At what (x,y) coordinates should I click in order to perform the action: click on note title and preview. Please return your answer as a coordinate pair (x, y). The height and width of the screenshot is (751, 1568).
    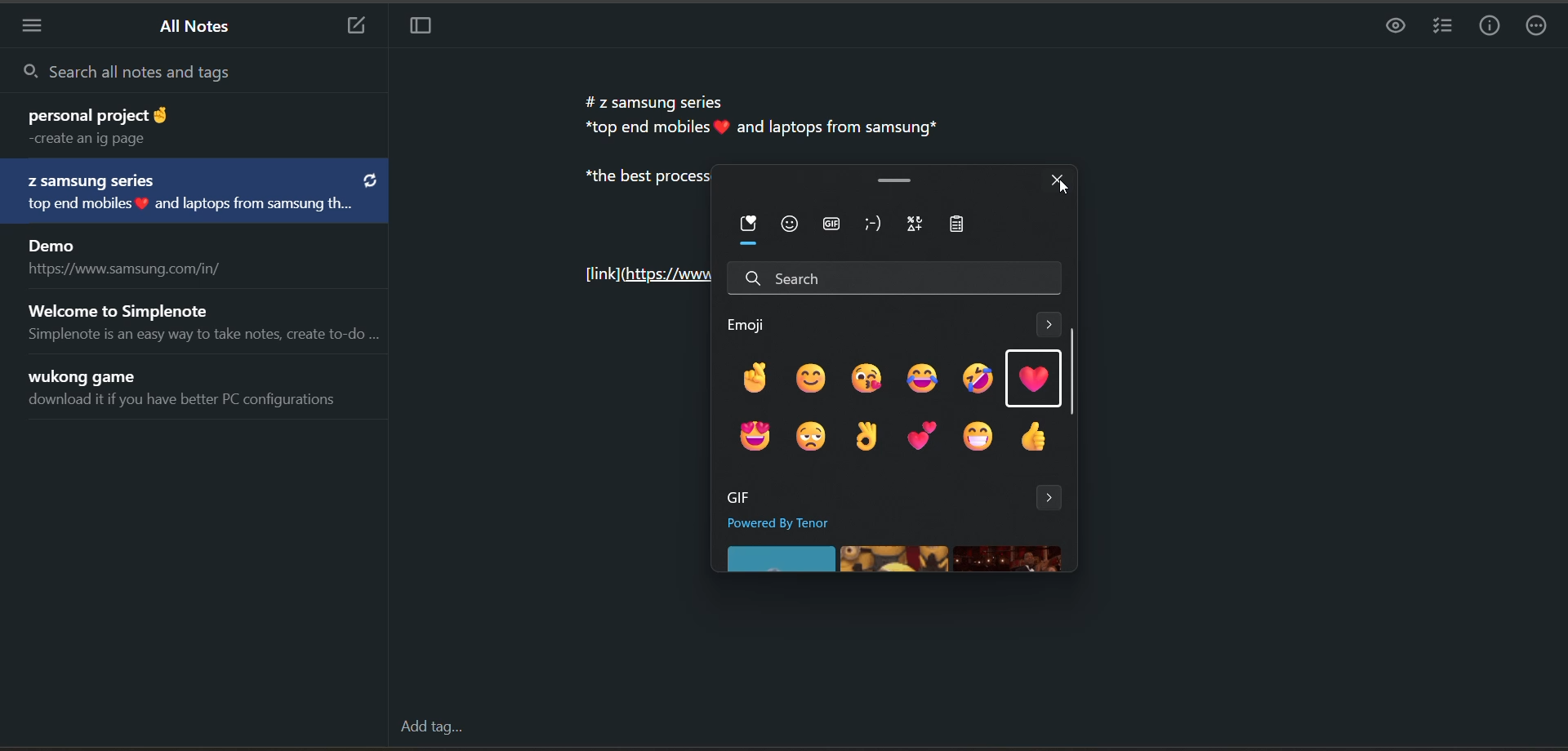
    Looking at the image, I should click on (199, 193).